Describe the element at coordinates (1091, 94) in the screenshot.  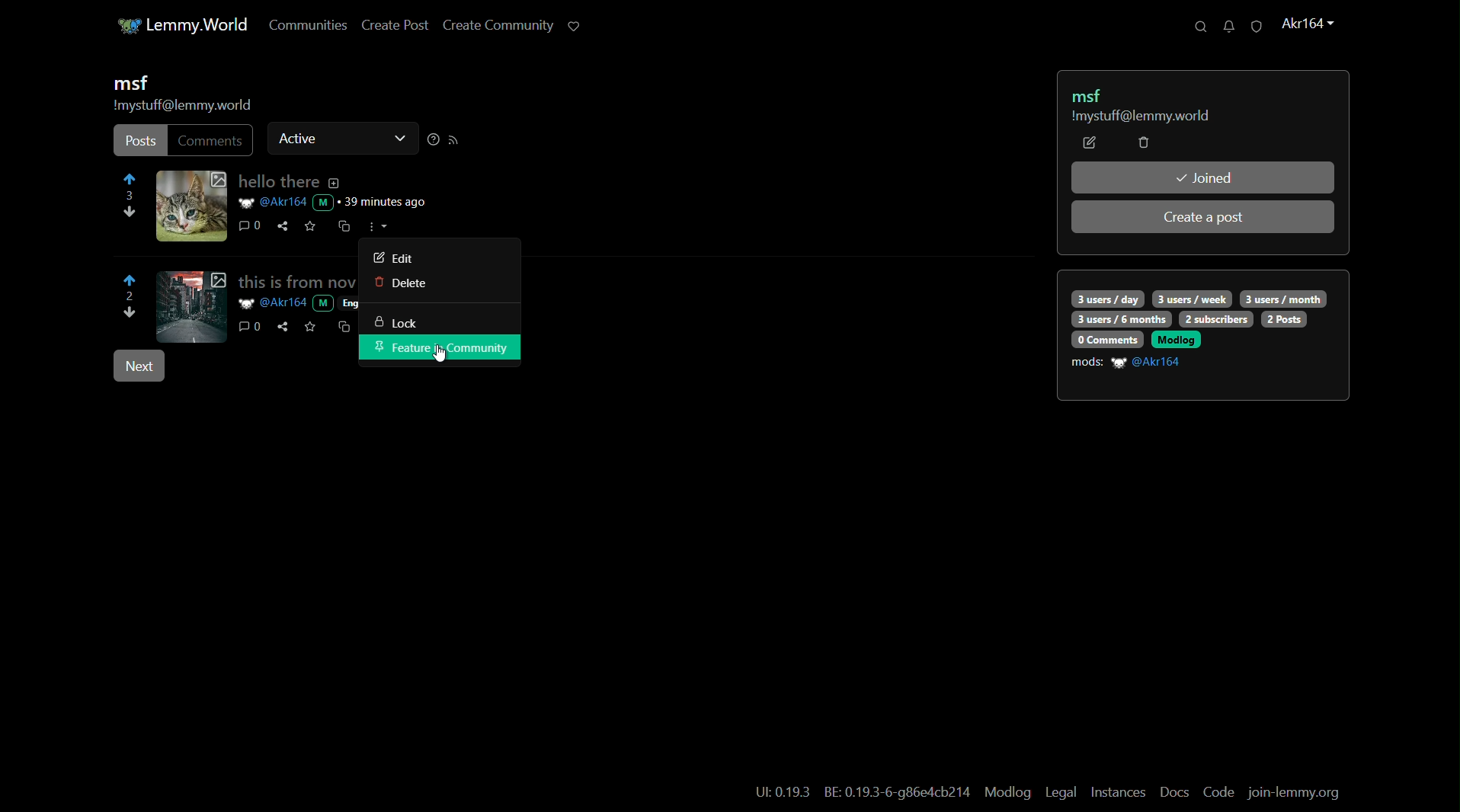
I see `community name` at that location.